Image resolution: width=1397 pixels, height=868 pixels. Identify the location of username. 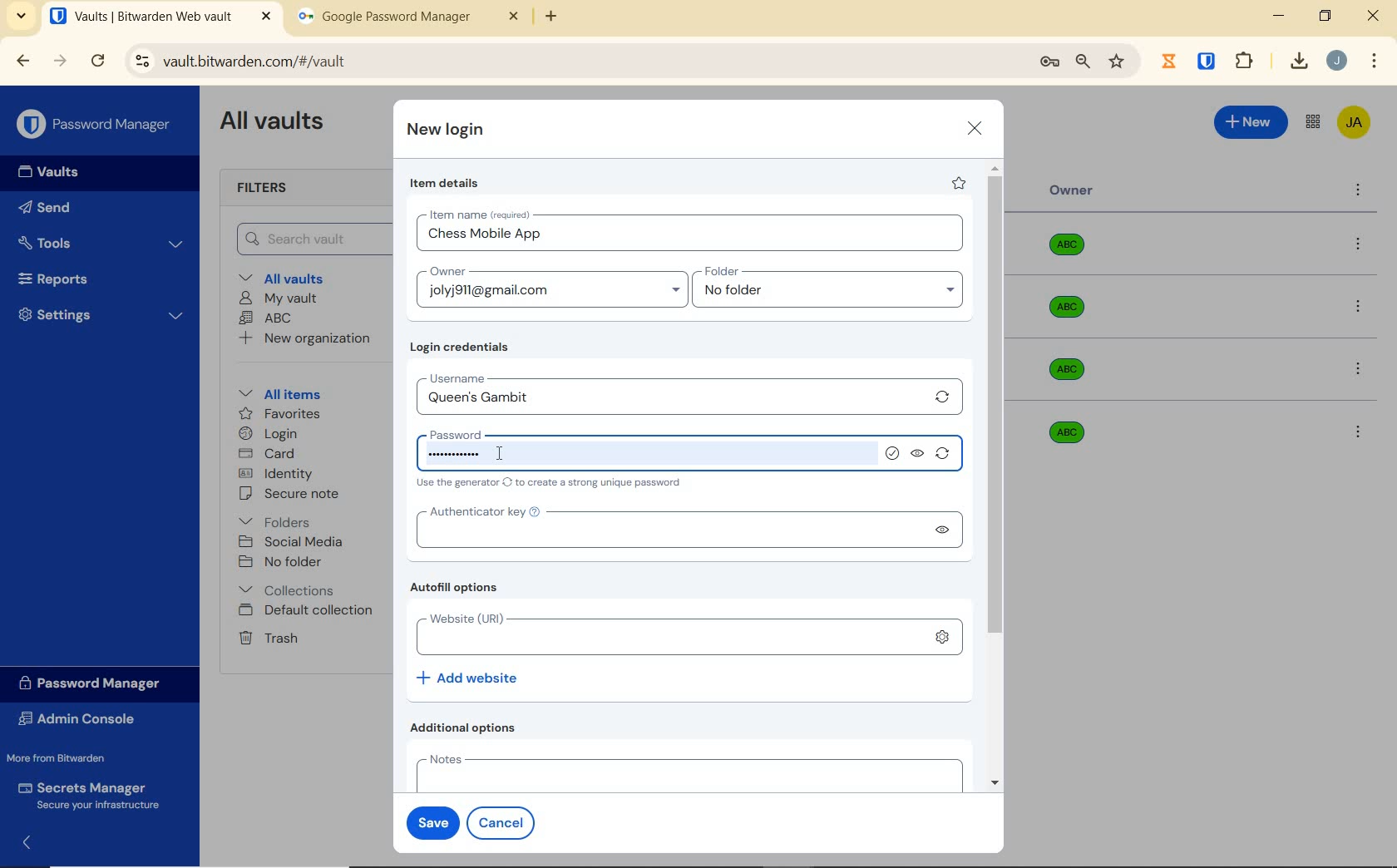
(504, 376).